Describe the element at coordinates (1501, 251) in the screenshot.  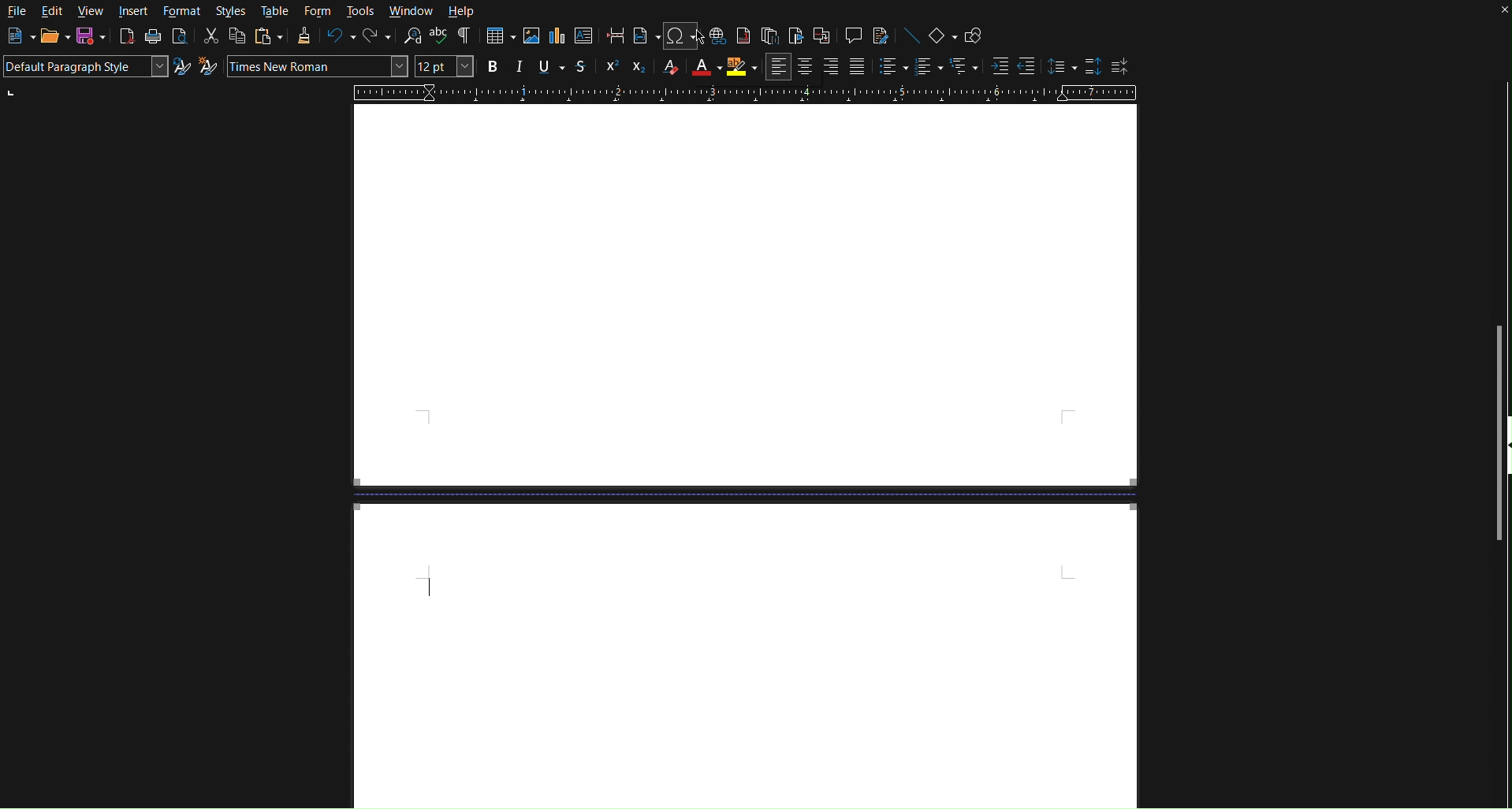
I see `Scrollbar` at that location.